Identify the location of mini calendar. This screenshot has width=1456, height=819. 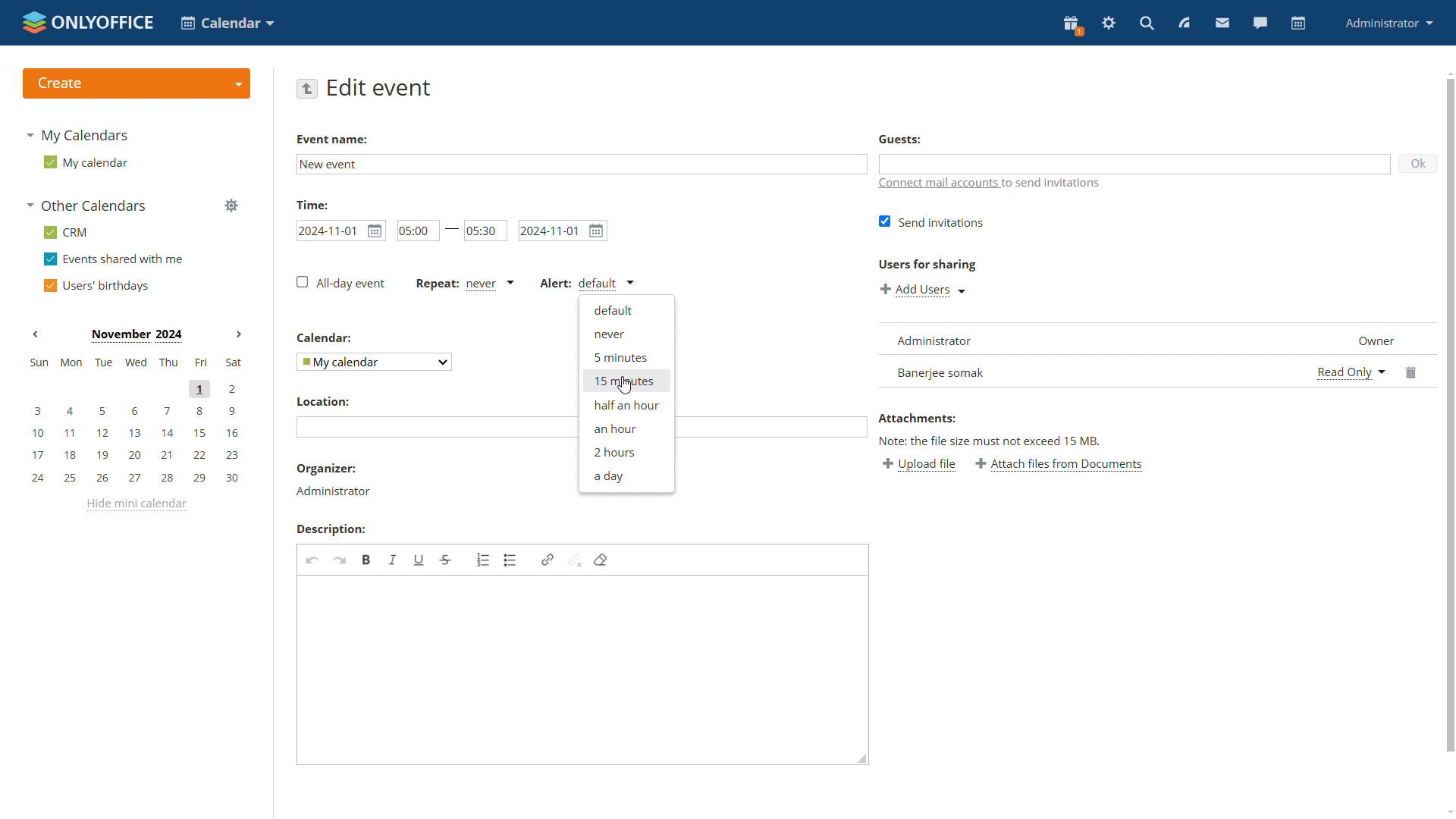
(135, 420).